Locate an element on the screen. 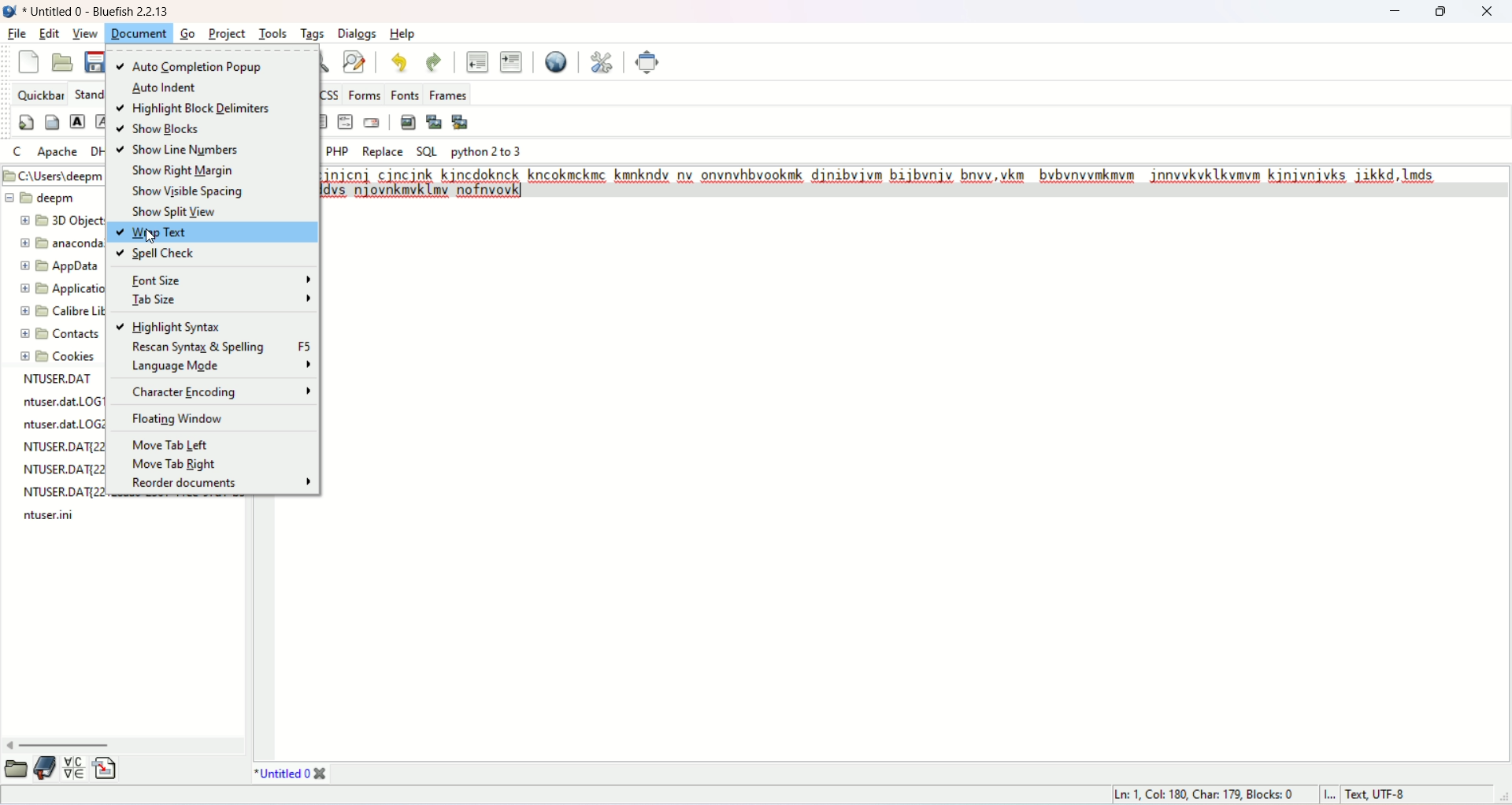 The height and width of the screenshot is (805, 1512). reorder documents is located at coordinates (220, 485).